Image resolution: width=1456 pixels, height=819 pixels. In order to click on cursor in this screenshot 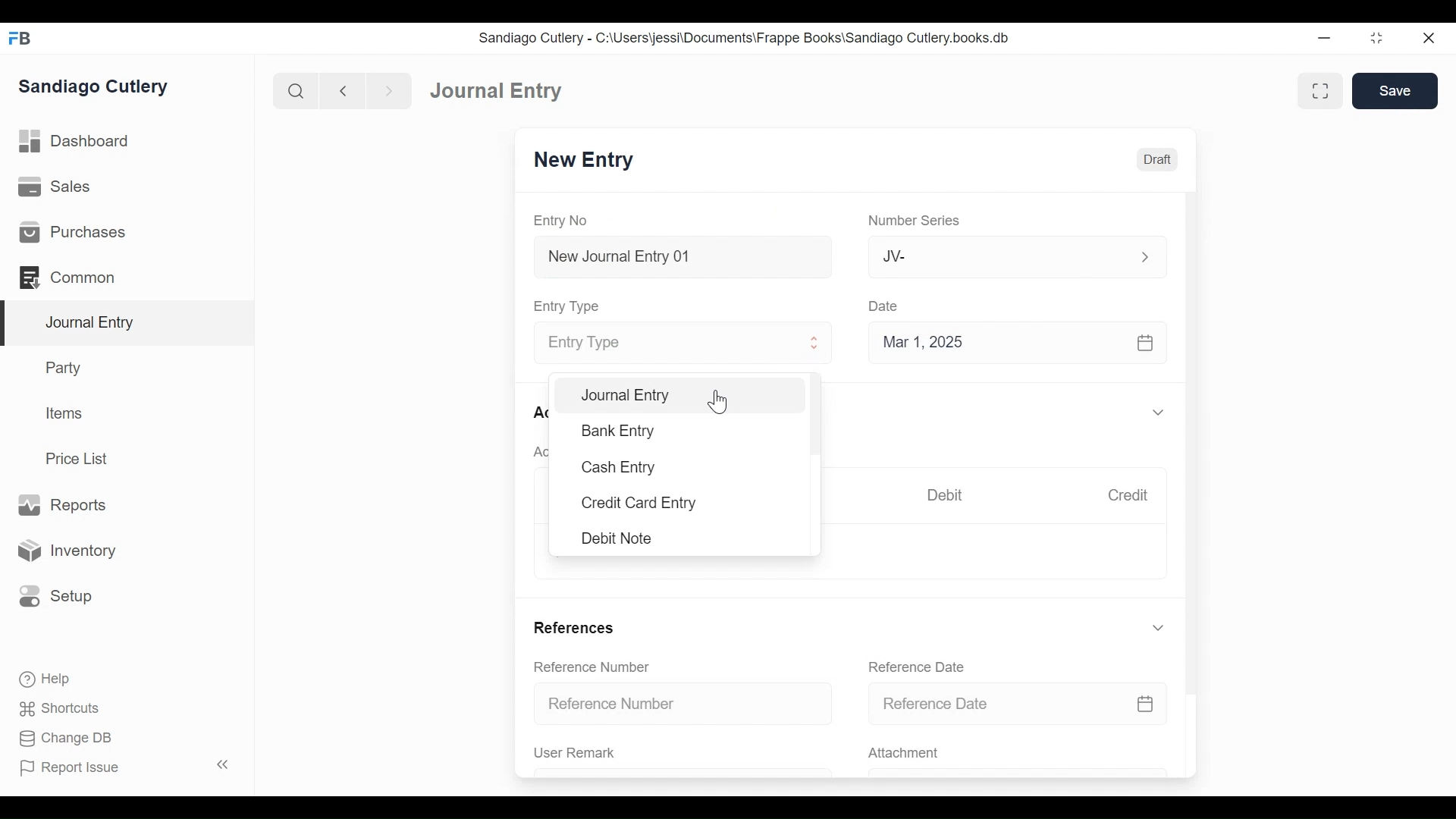, I will do `click(717, 400)`.